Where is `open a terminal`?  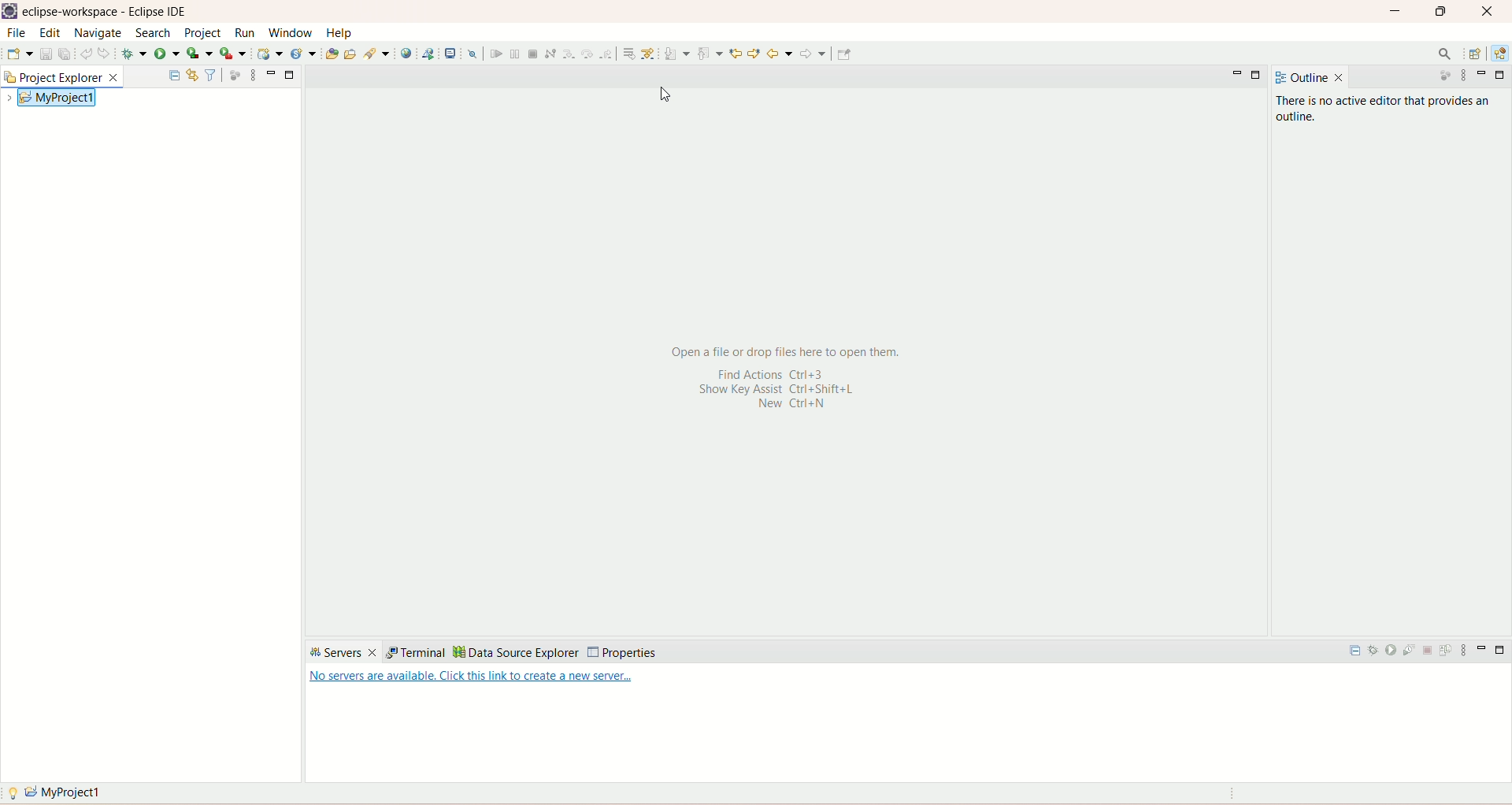
open a terminal is located at coordinates (451, 53).